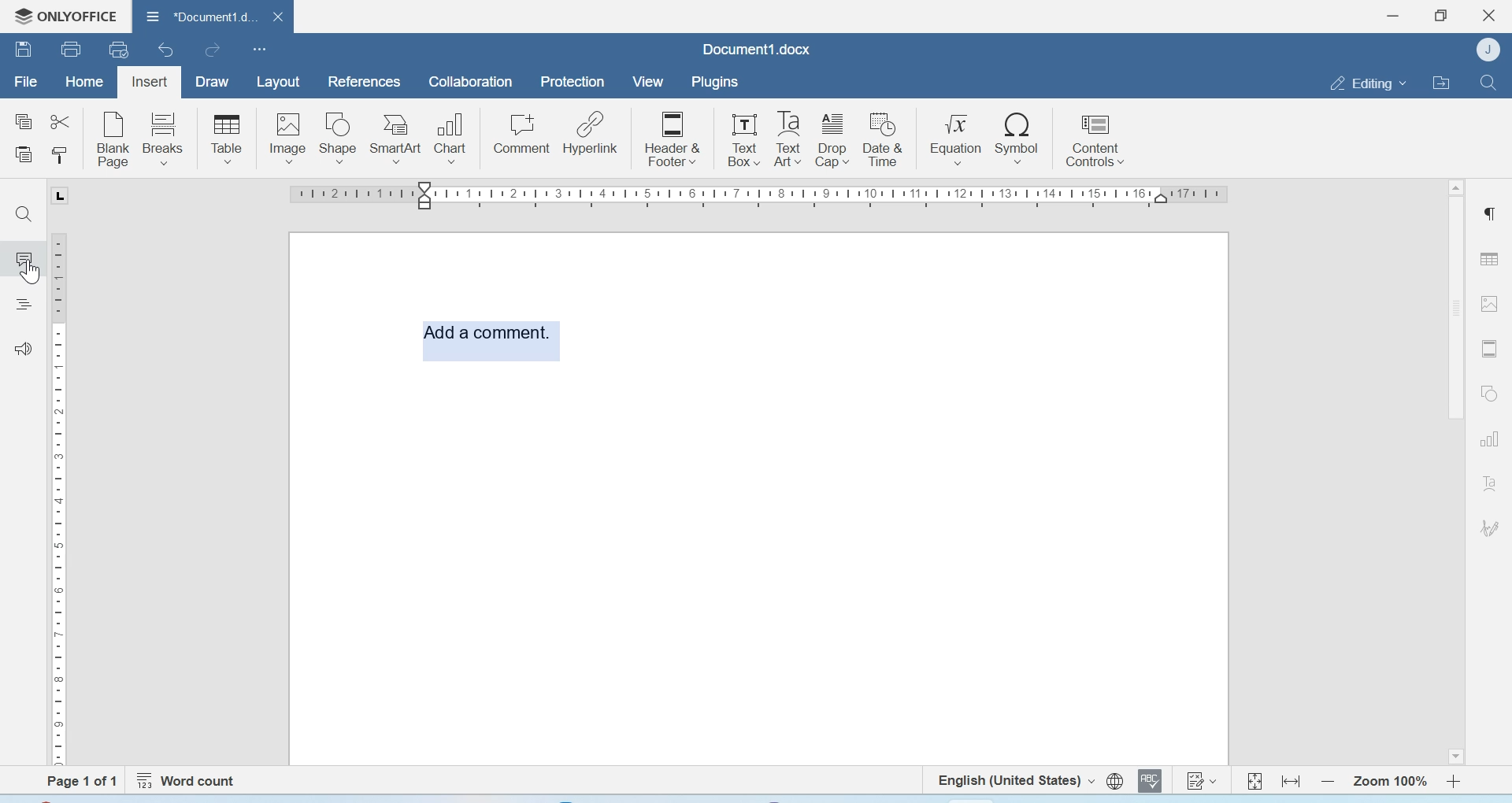 The image size is (1512, 803). I want to click on Comment, so click(522, 134).